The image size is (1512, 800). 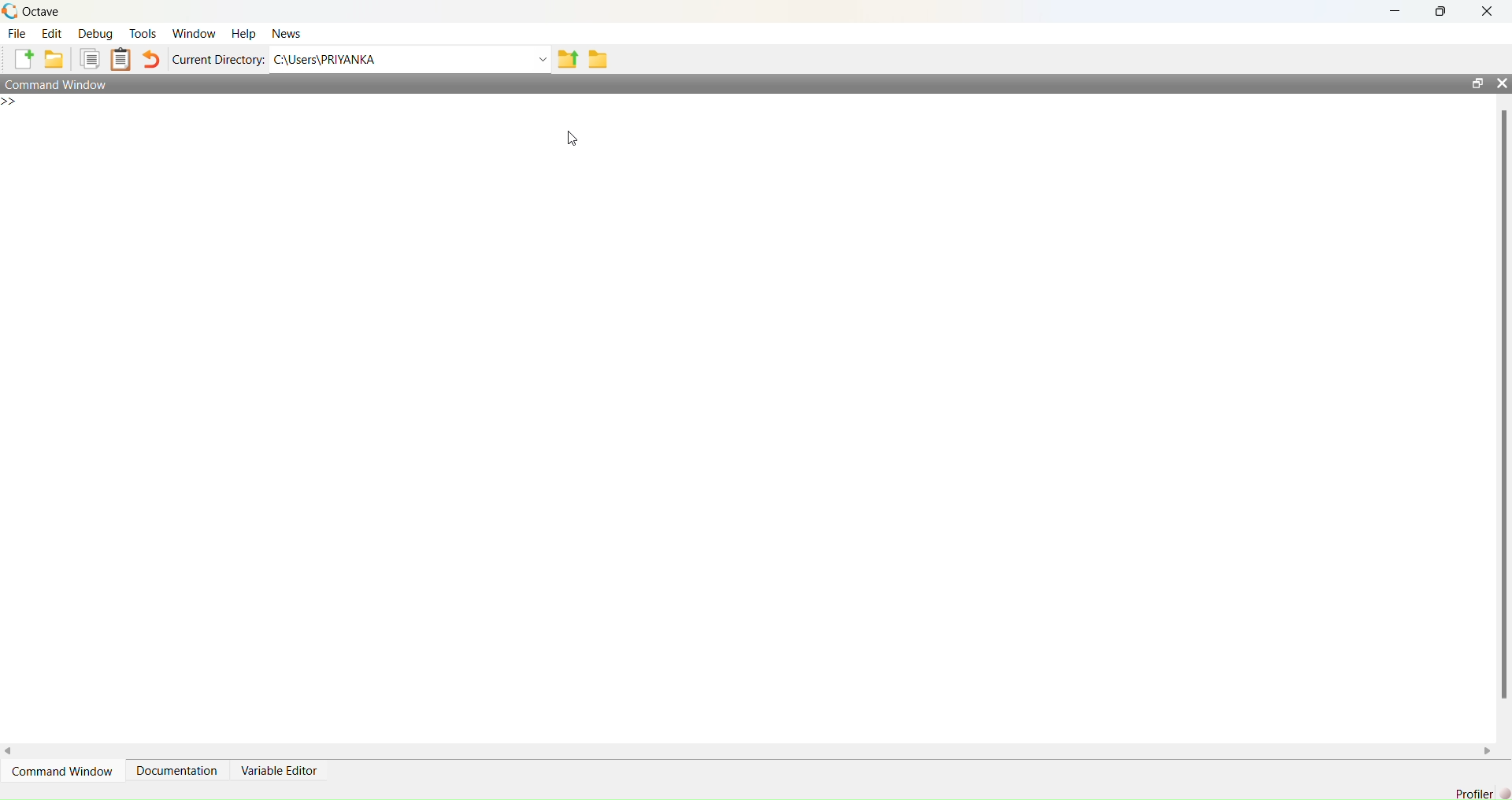 What do you see at coordinates (281, 770) in the screenshot?
I see `Variable Editor` at bounding box center [281, 770].